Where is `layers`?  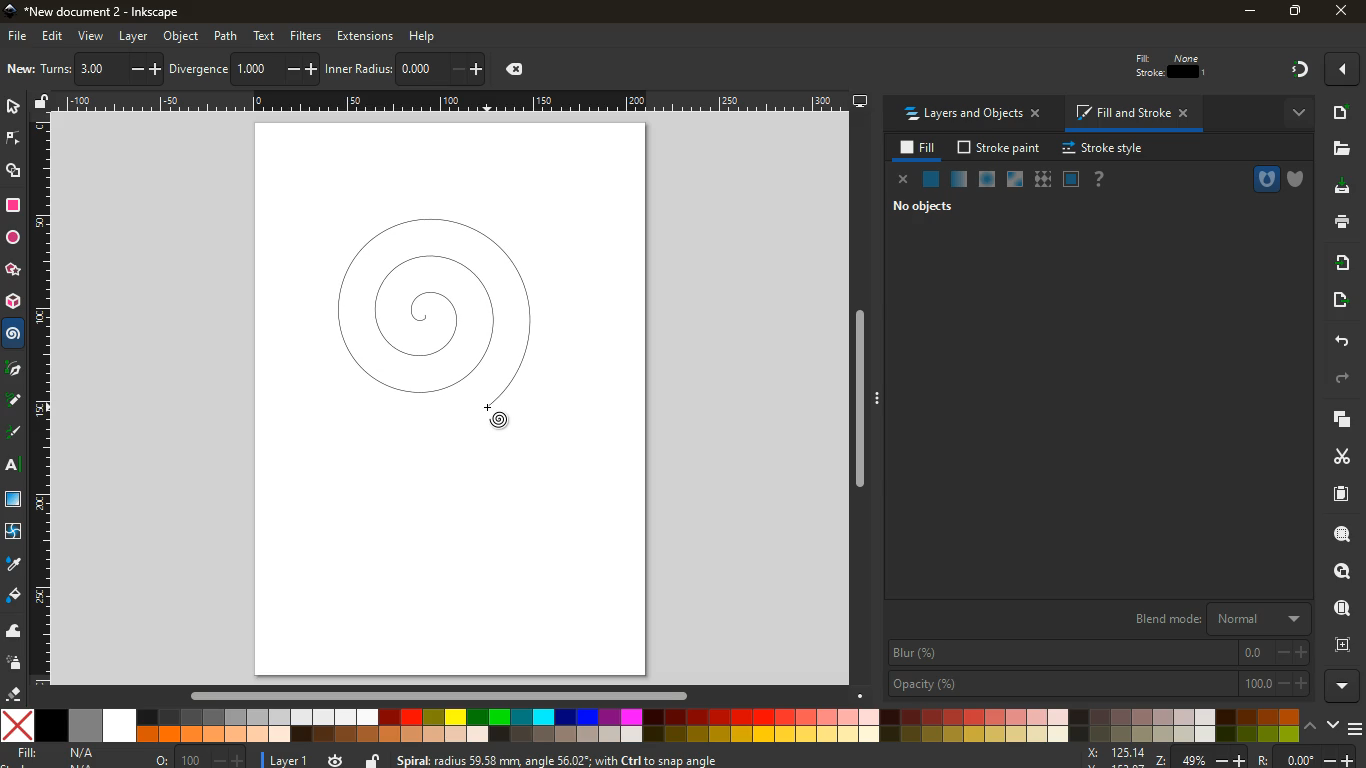
layers is located at coordinates (58, 71).